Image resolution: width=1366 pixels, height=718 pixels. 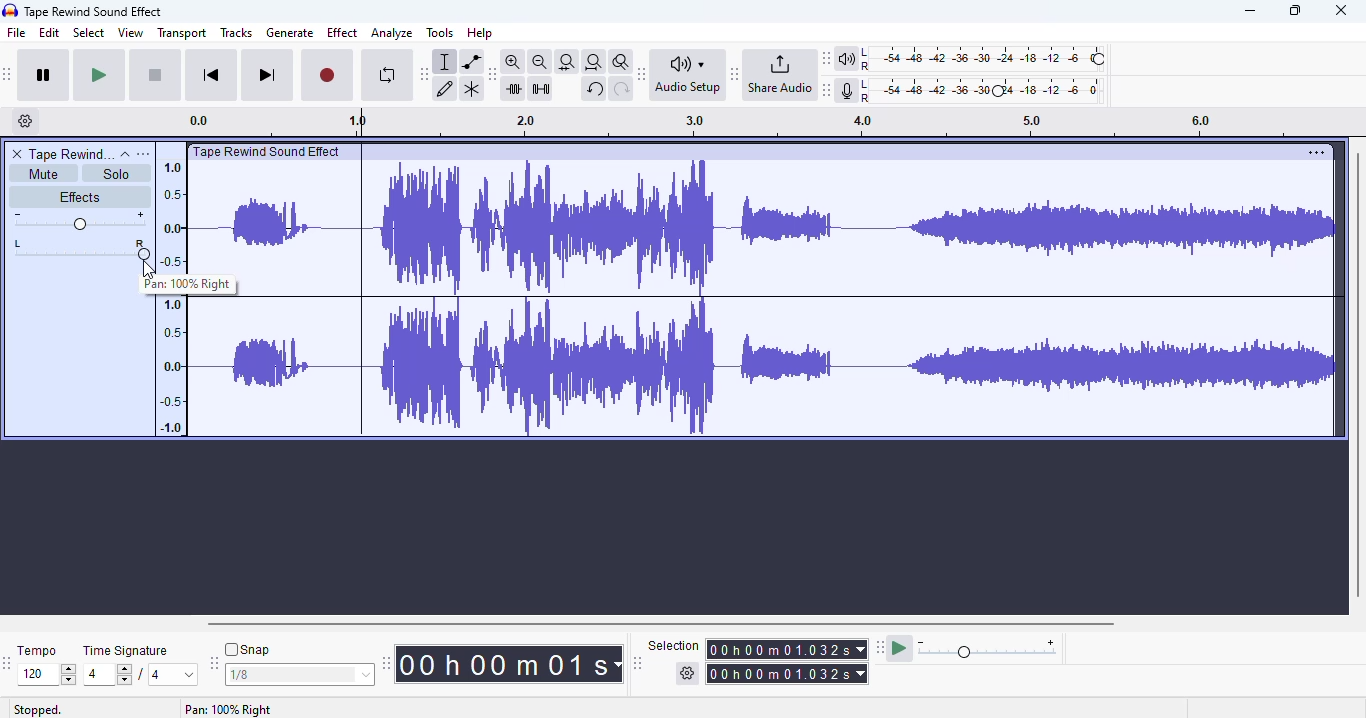 What do you see at coordinates (759, 660) in the screenshot?
I see `selection` at bounding box center [759, 660].